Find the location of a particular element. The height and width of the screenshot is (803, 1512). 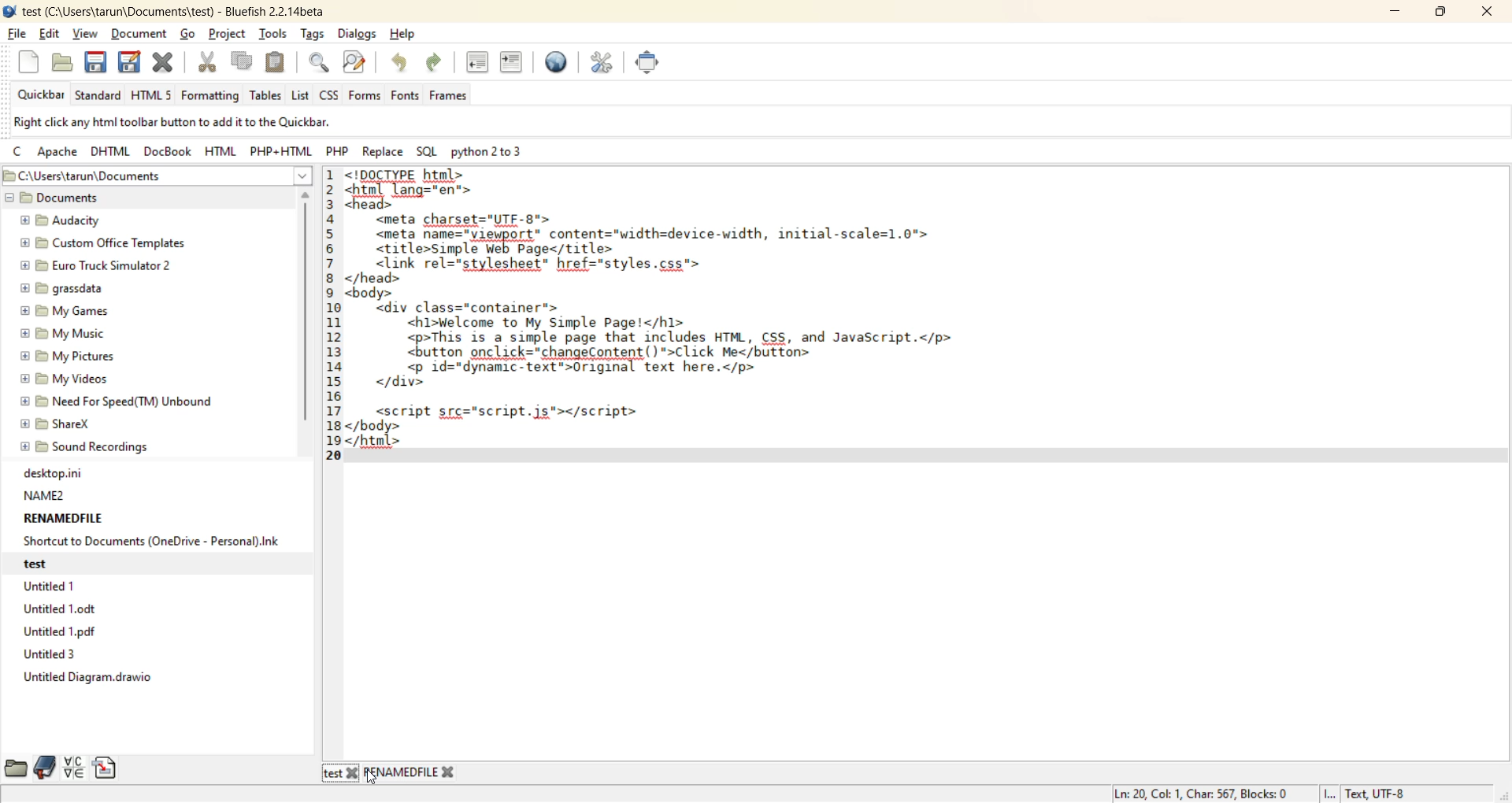

docbook is located at coordinates (165, 154).